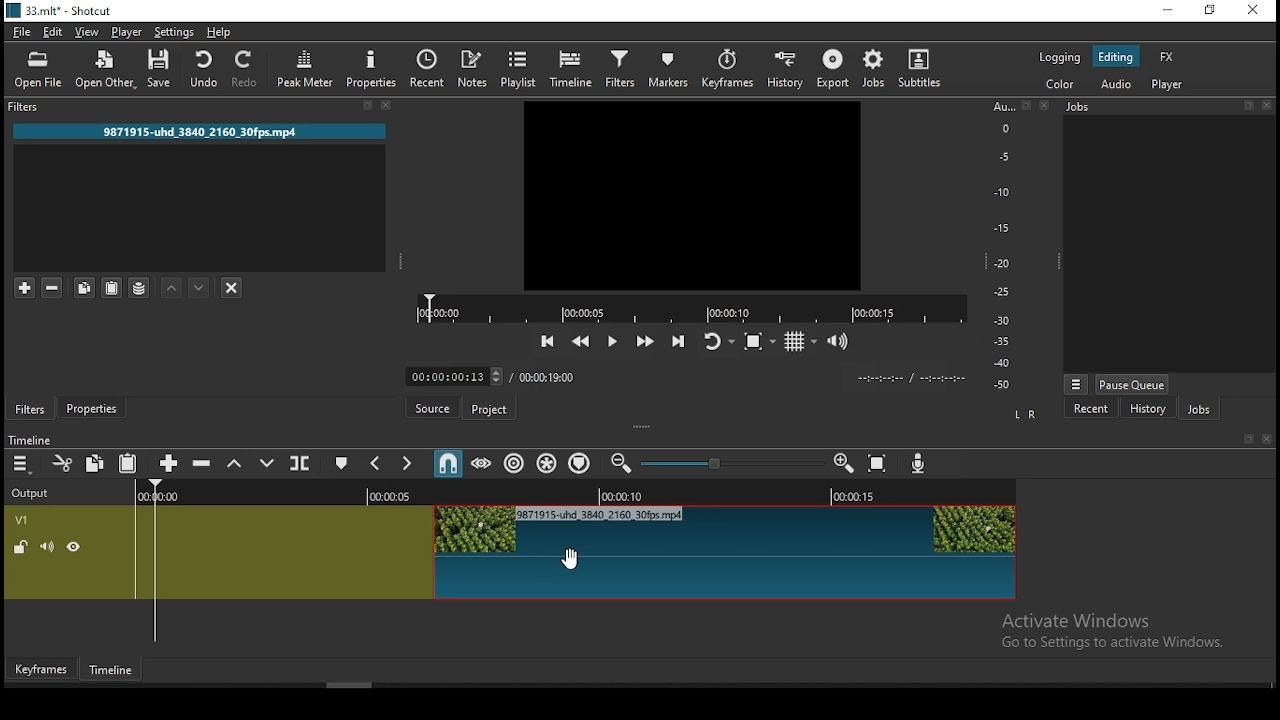 Image resolution: width=1280 pixels, height=720 pixels. Describe the element at coordinates (91, 32) in the screenshot. I see `view` at that location.